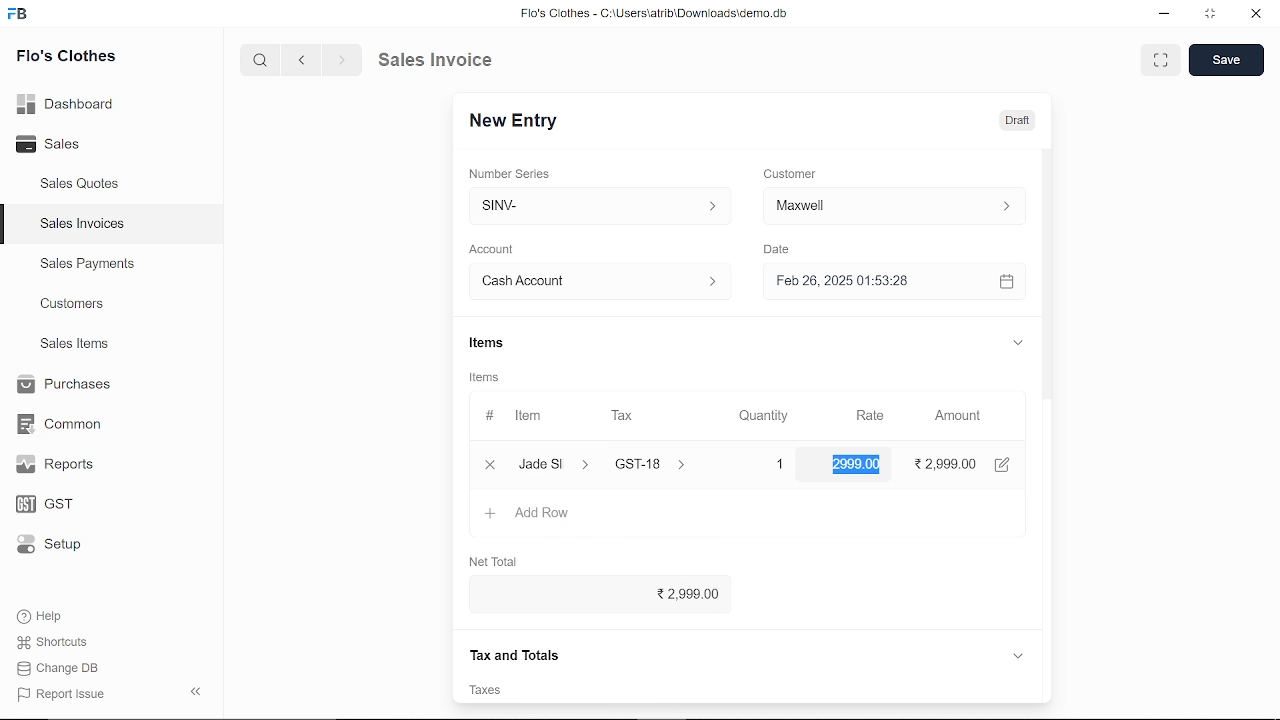 This screenshot has width=1280, height=720. What do you see at coordinates (70, 103) in the screenshot?
I see `Dashboard` at bounding box center [70, 103].